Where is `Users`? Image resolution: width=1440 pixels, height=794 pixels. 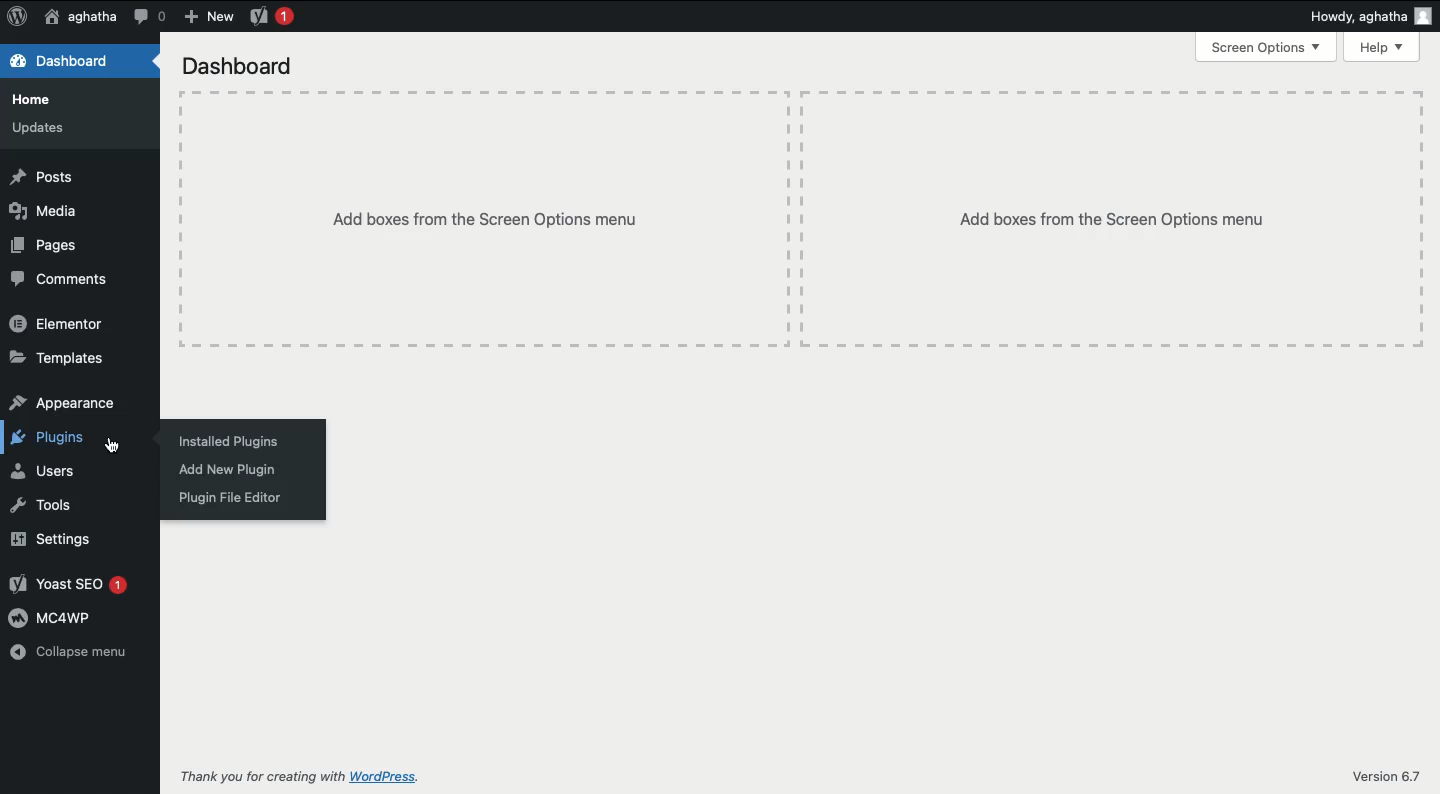 Users is located at coordinates (43, 471).